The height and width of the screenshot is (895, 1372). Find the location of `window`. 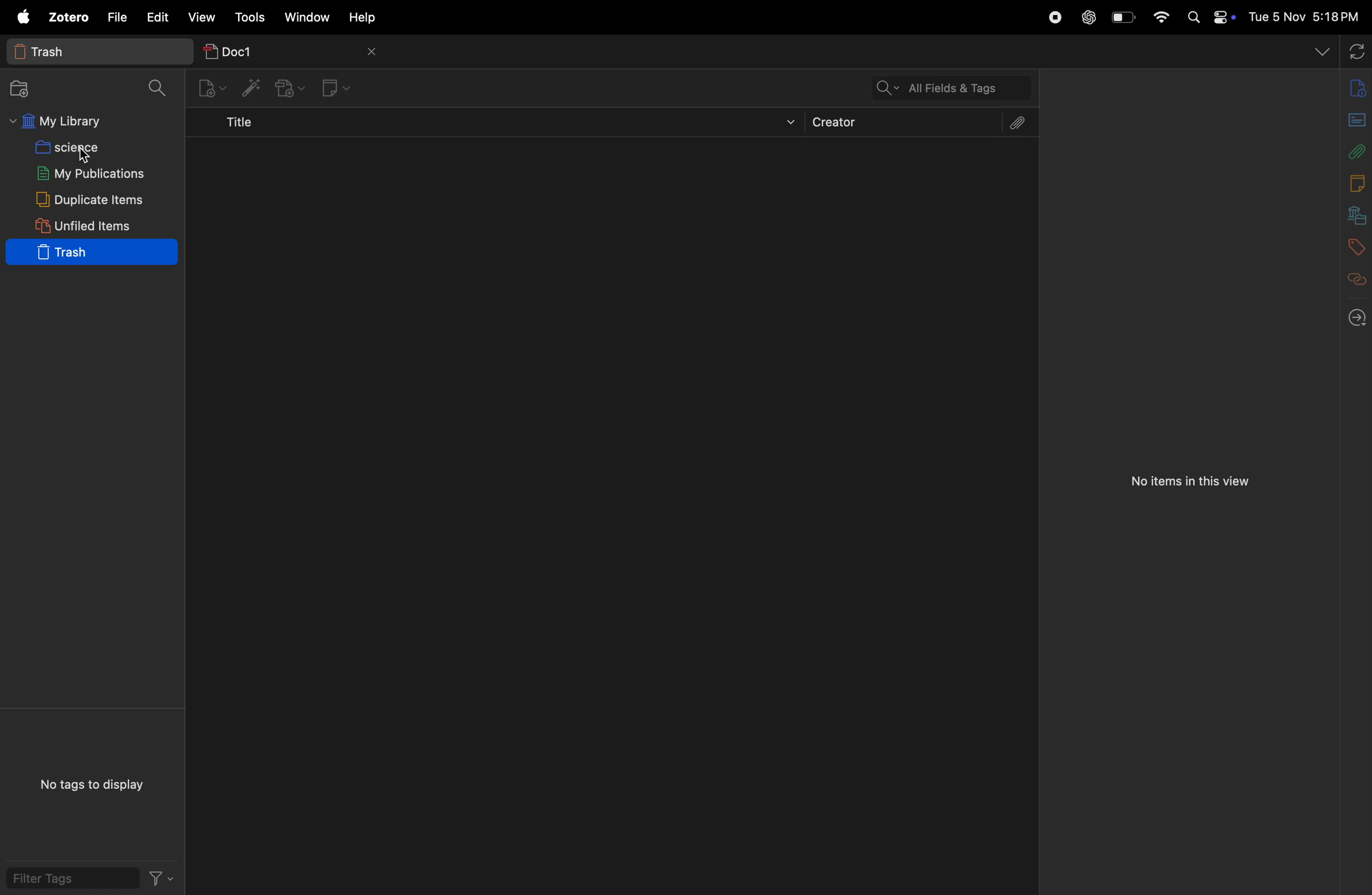

window is located at coordinates (311, 18).